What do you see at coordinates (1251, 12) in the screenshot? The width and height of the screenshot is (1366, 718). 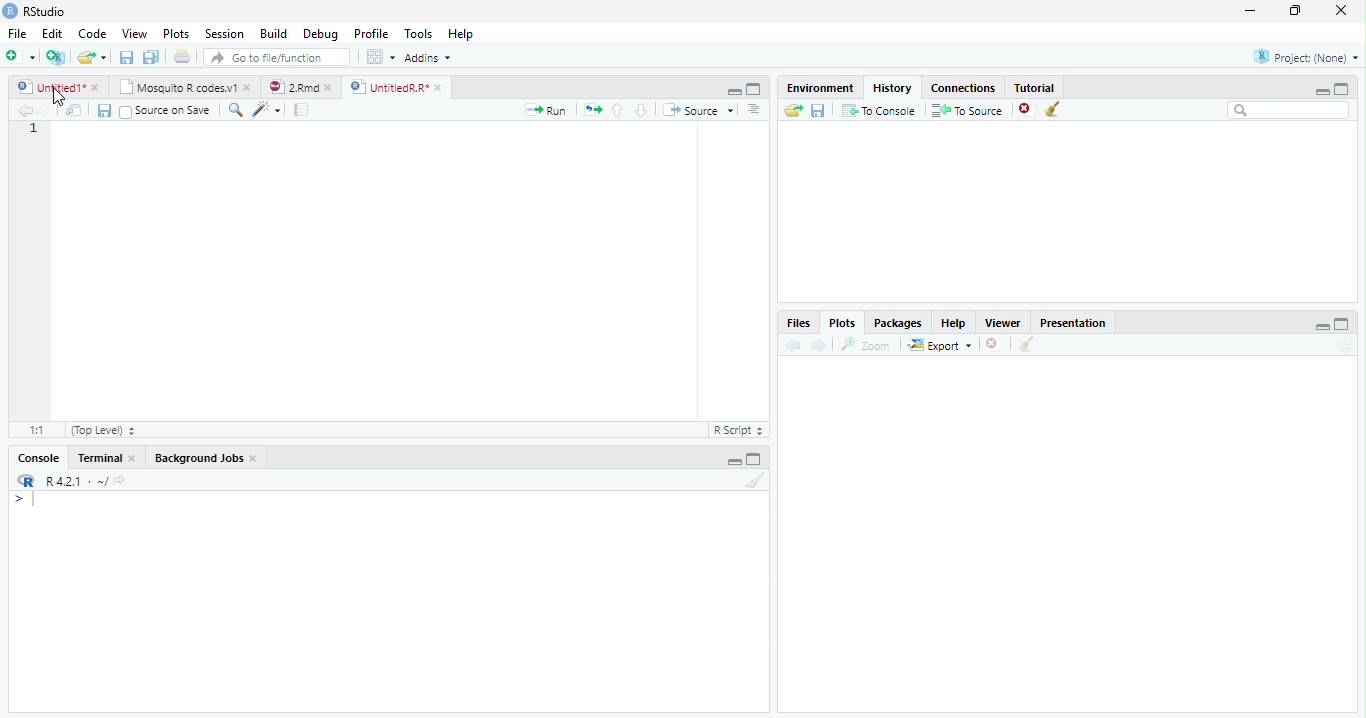 I see `Minimize` at bounding box center [1251, 12].